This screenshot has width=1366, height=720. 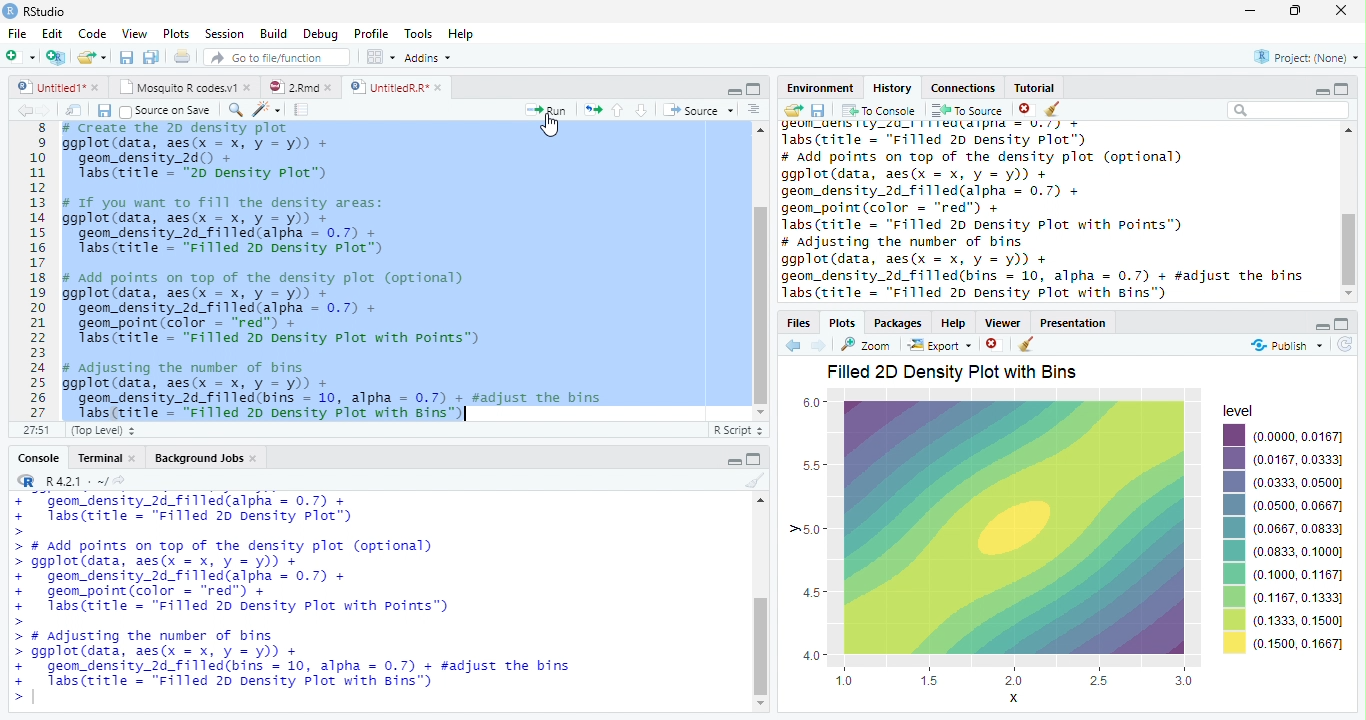 I want to click on Help, so click(x=953, y=325).